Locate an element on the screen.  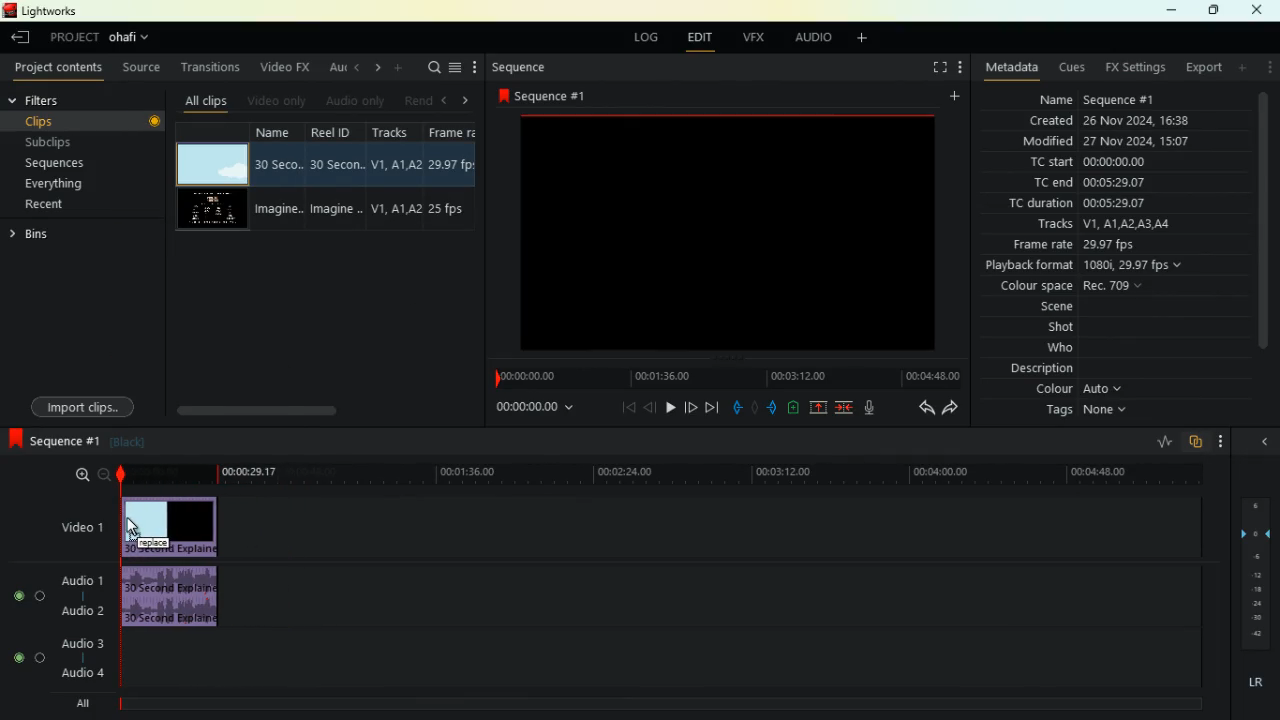
29.97 is located at coordinates (452, 164).